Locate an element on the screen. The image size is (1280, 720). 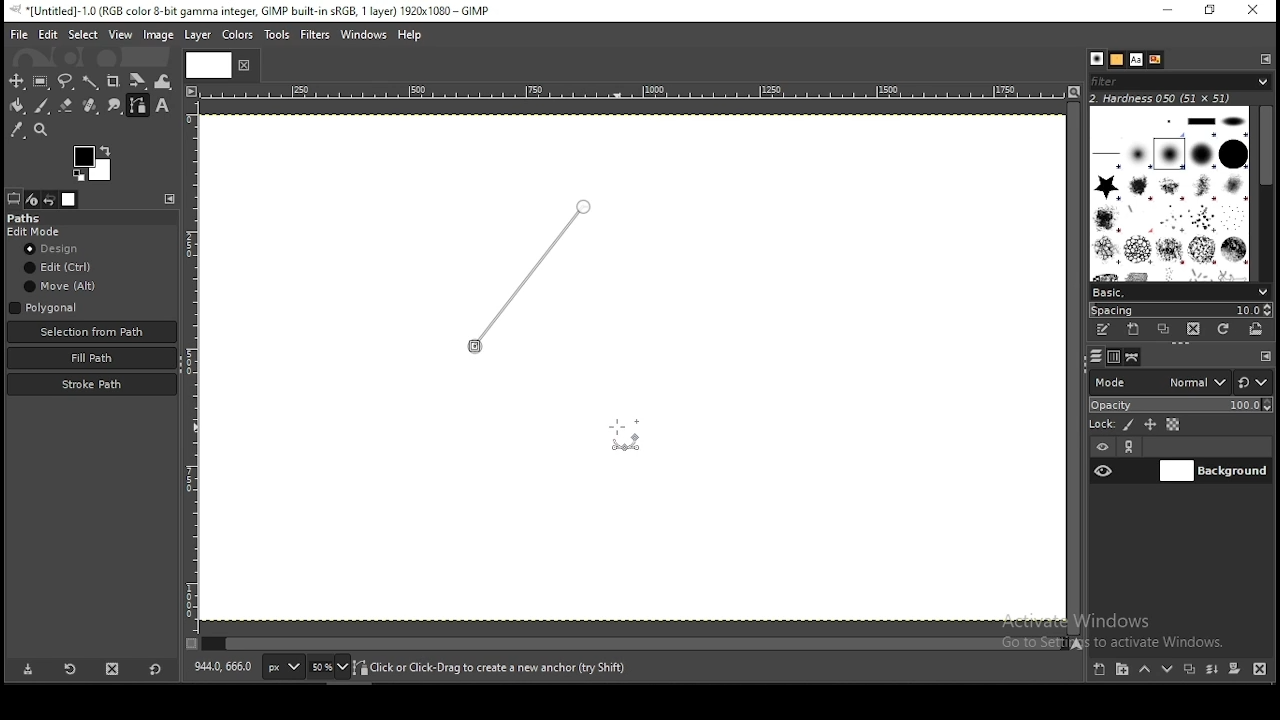
select is located at coordinates (82, 35).